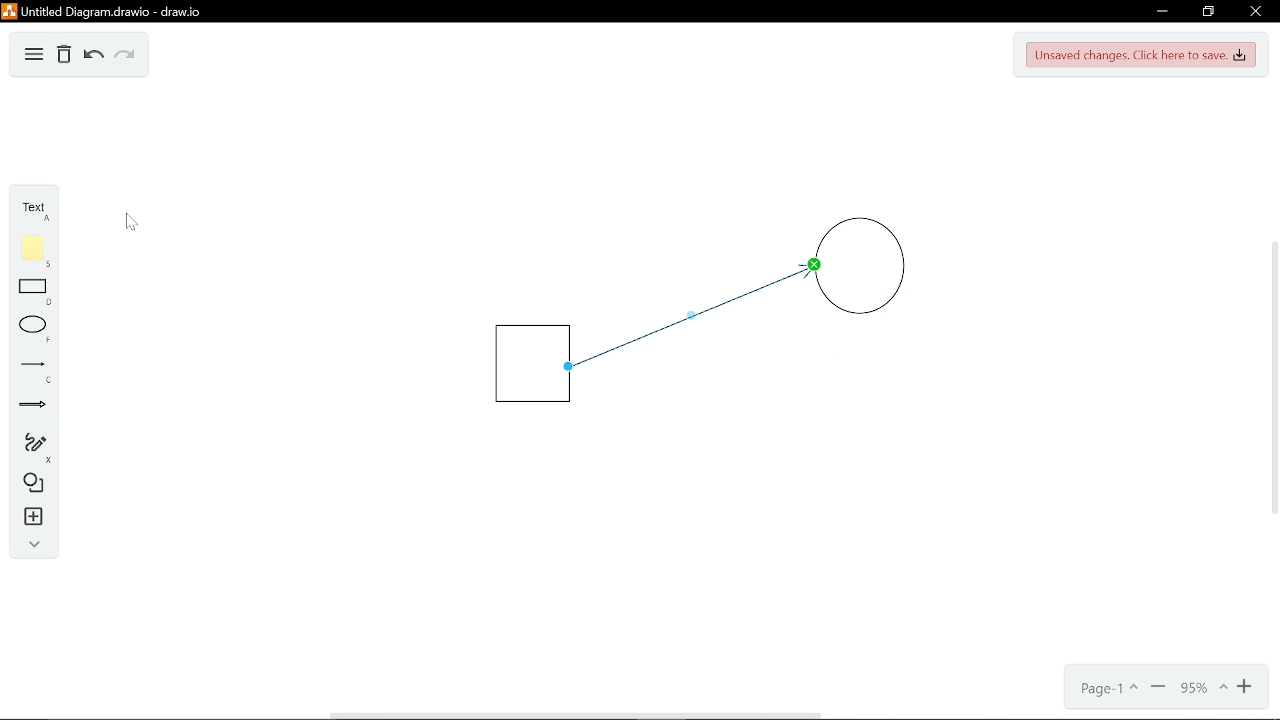 The height and width of the screenshot is (720, 1280). I want to click on Zoom out, so click(1157, 689).